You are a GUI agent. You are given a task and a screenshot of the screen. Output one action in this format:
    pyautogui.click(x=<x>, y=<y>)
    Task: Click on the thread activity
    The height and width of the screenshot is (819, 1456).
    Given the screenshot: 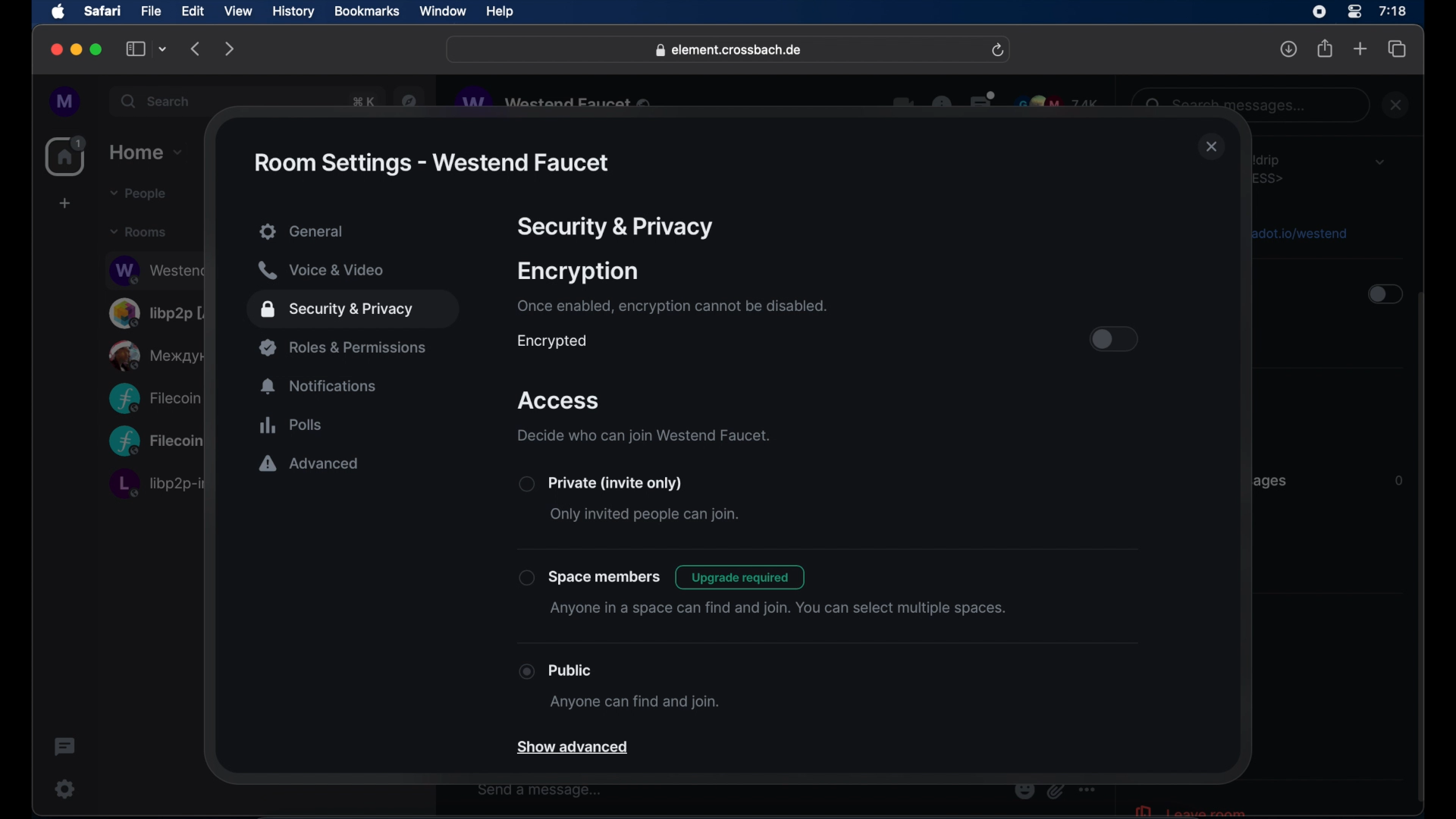 What is the action you would take?
    pyautogui.click(x=66, y=747)
    